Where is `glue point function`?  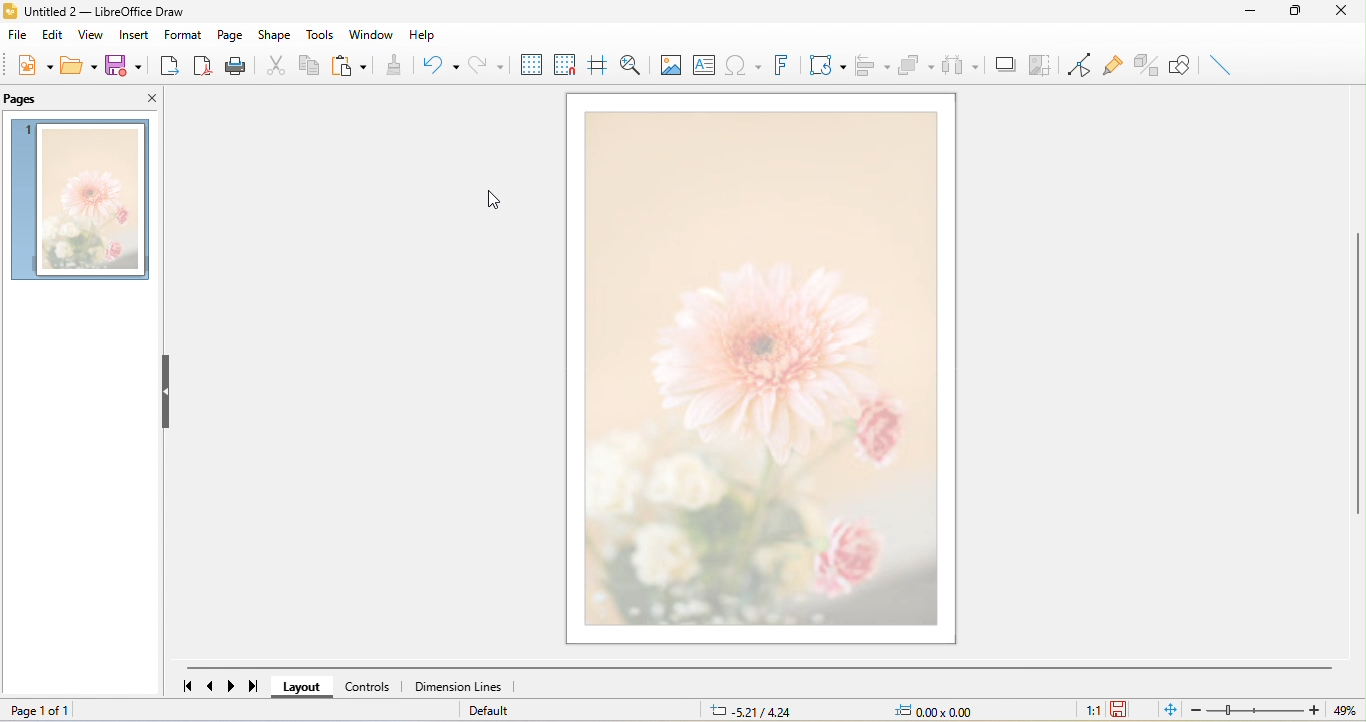
glue point function is located at coordinates (1112, 62).